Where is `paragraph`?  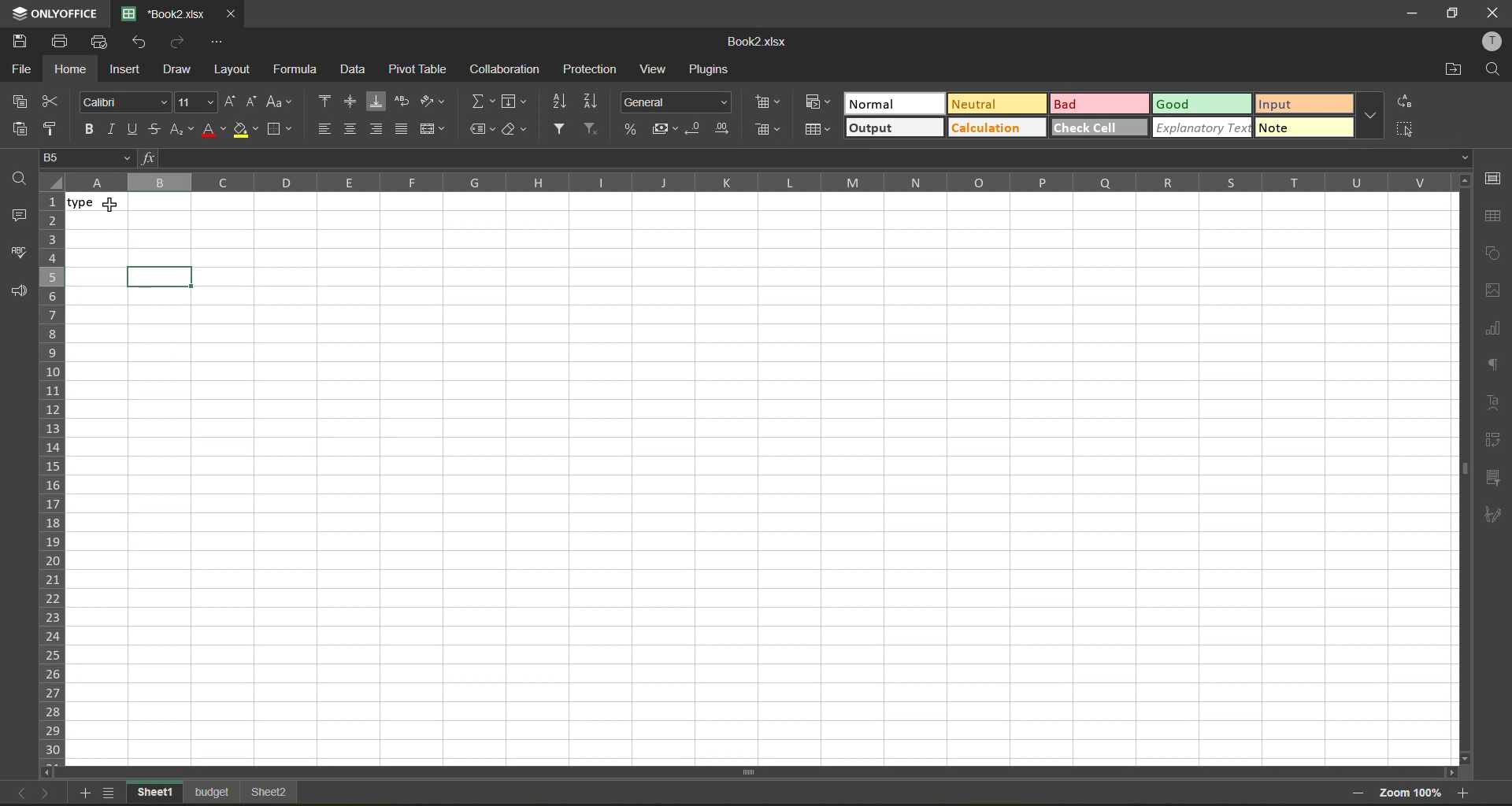
paragraph is located at coordinates (1496, 367).